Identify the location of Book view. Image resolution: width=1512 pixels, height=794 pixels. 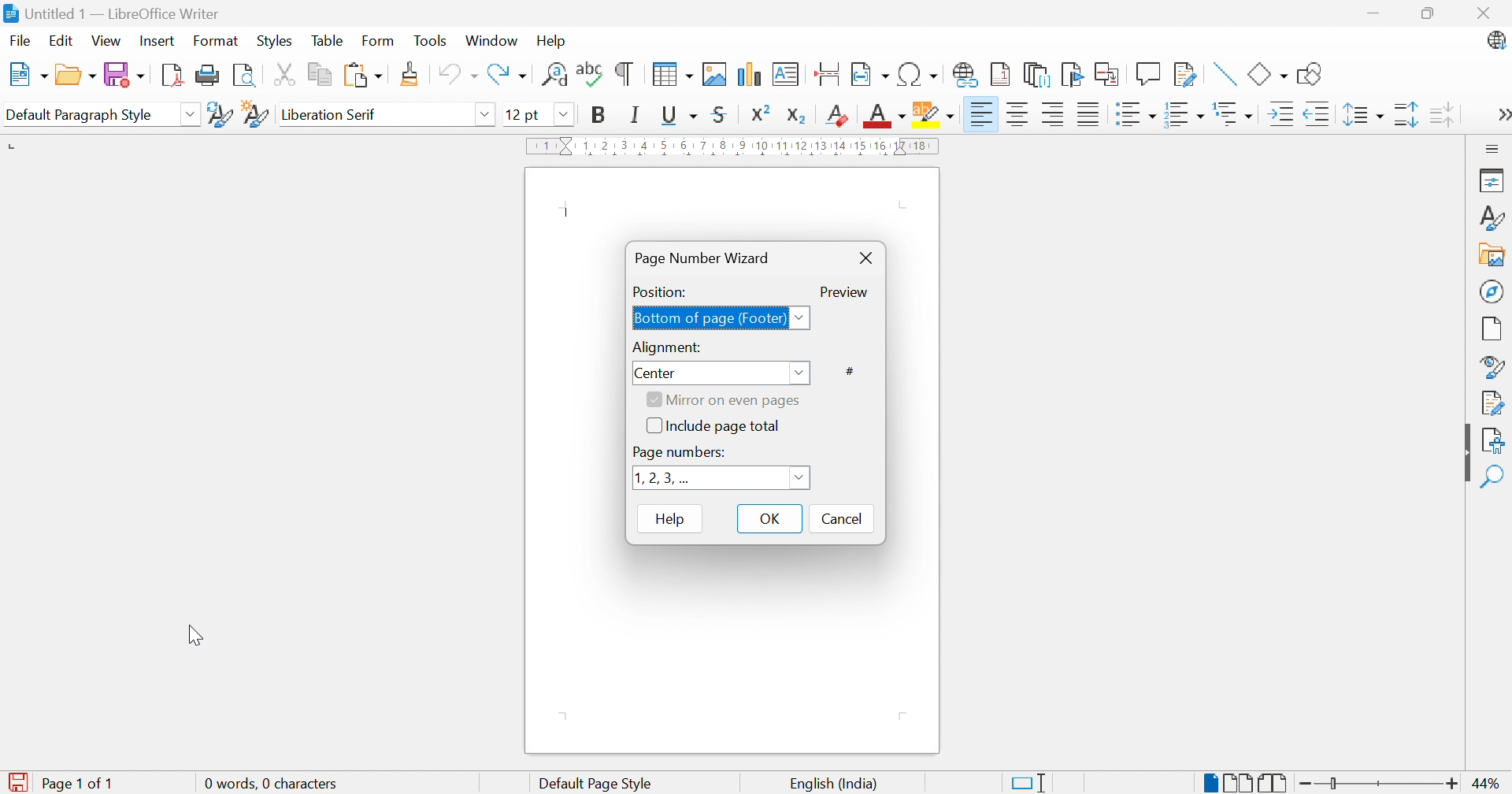
(1274, 782).